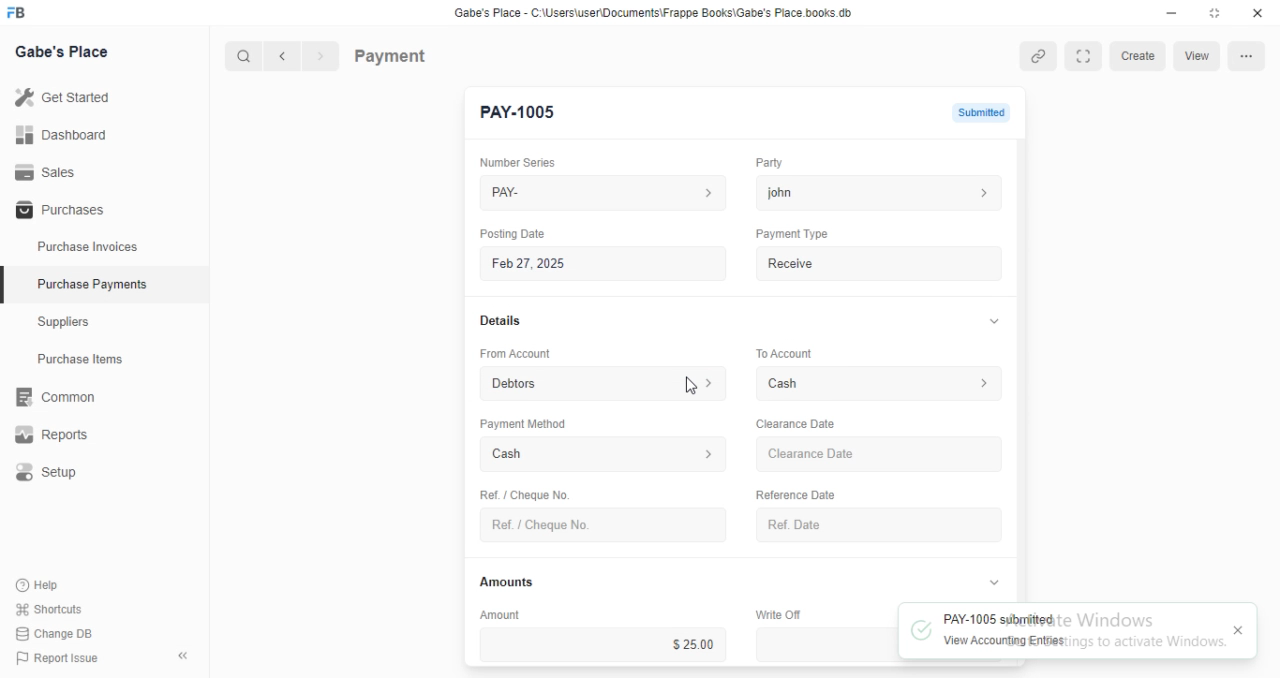 This screenshot has width=1280, height=678. What do you see at coordinates (882, 455) in the screenshot?
I see `Clearance Date` at bounding box center [882, 455].